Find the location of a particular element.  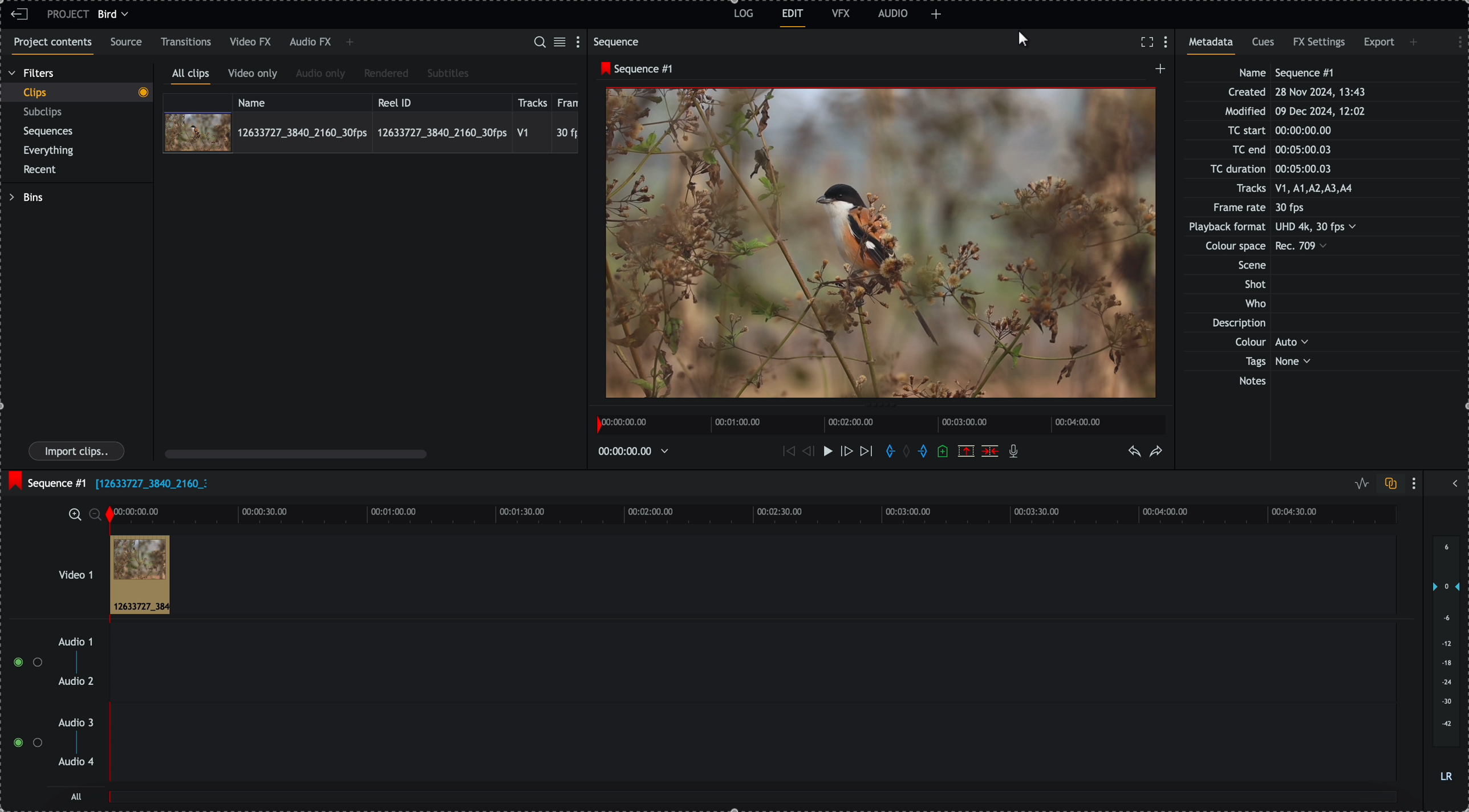

sequence is located at coordinates (619, 42).